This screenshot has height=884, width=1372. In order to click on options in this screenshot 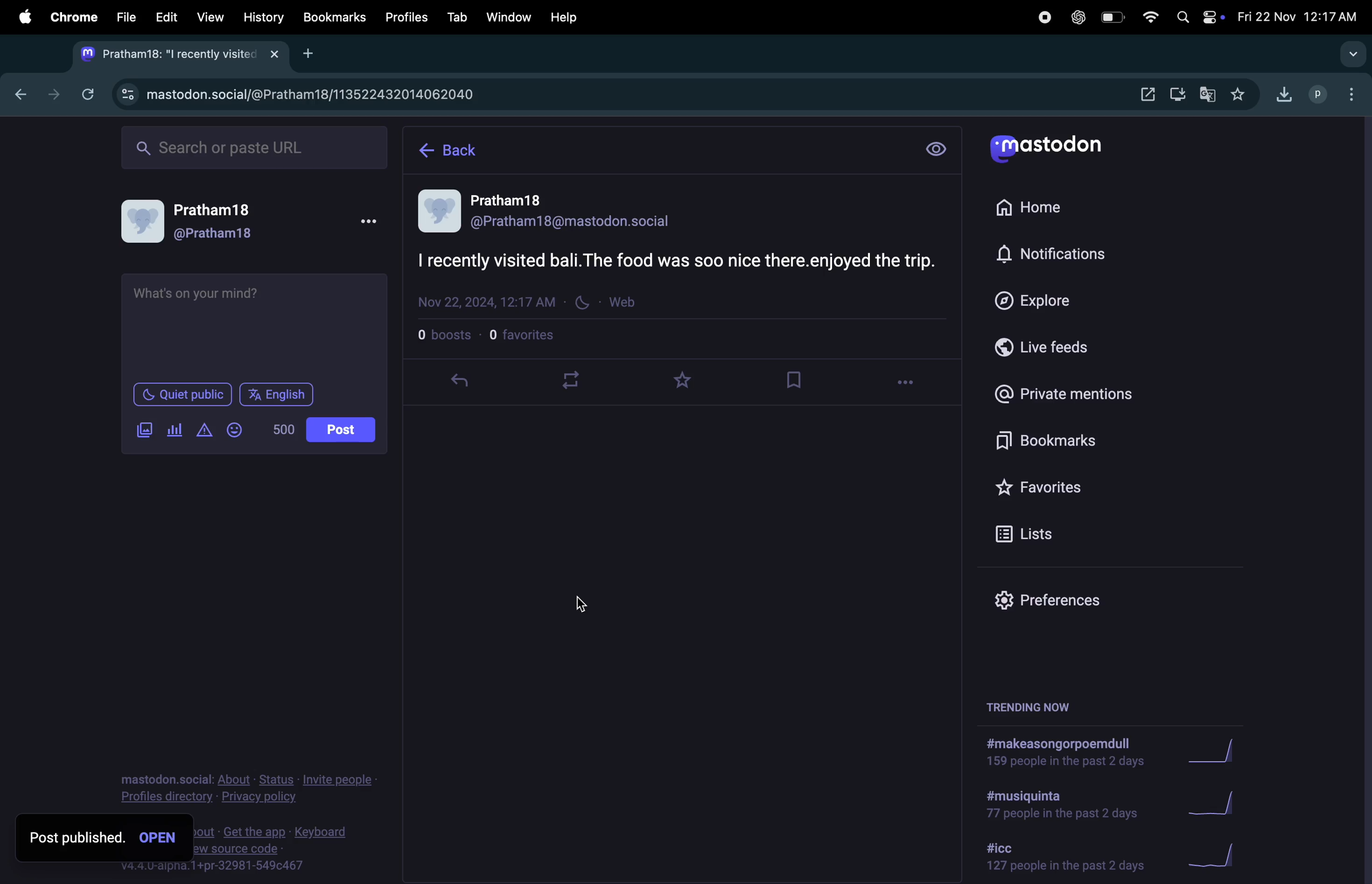, I will do `click(910, 379)`.